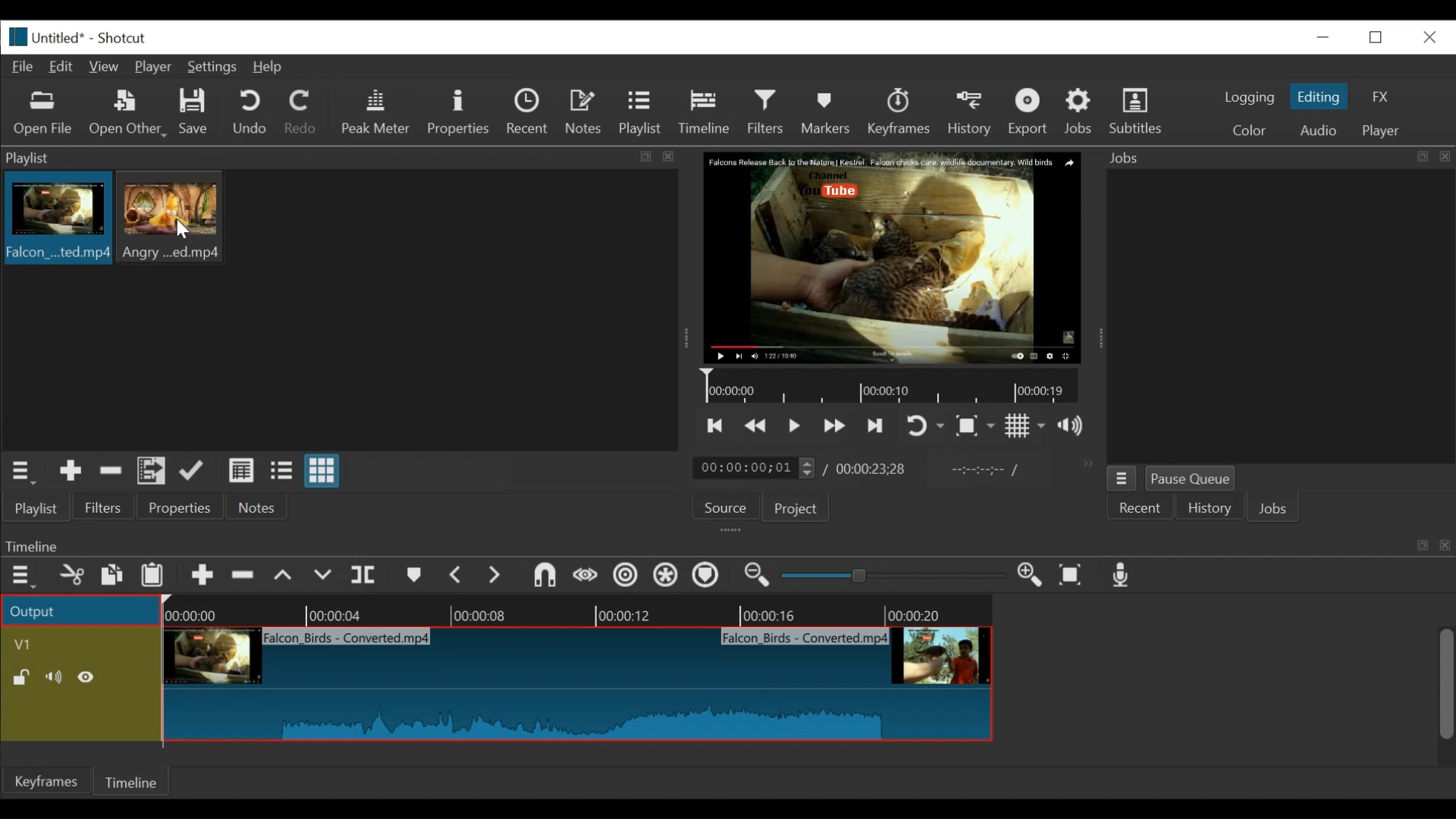 This screenshot has width=1456, height=819. Describe the element at coordinates (1077, 427) in the screenshot. I see `show volume control` at that location.